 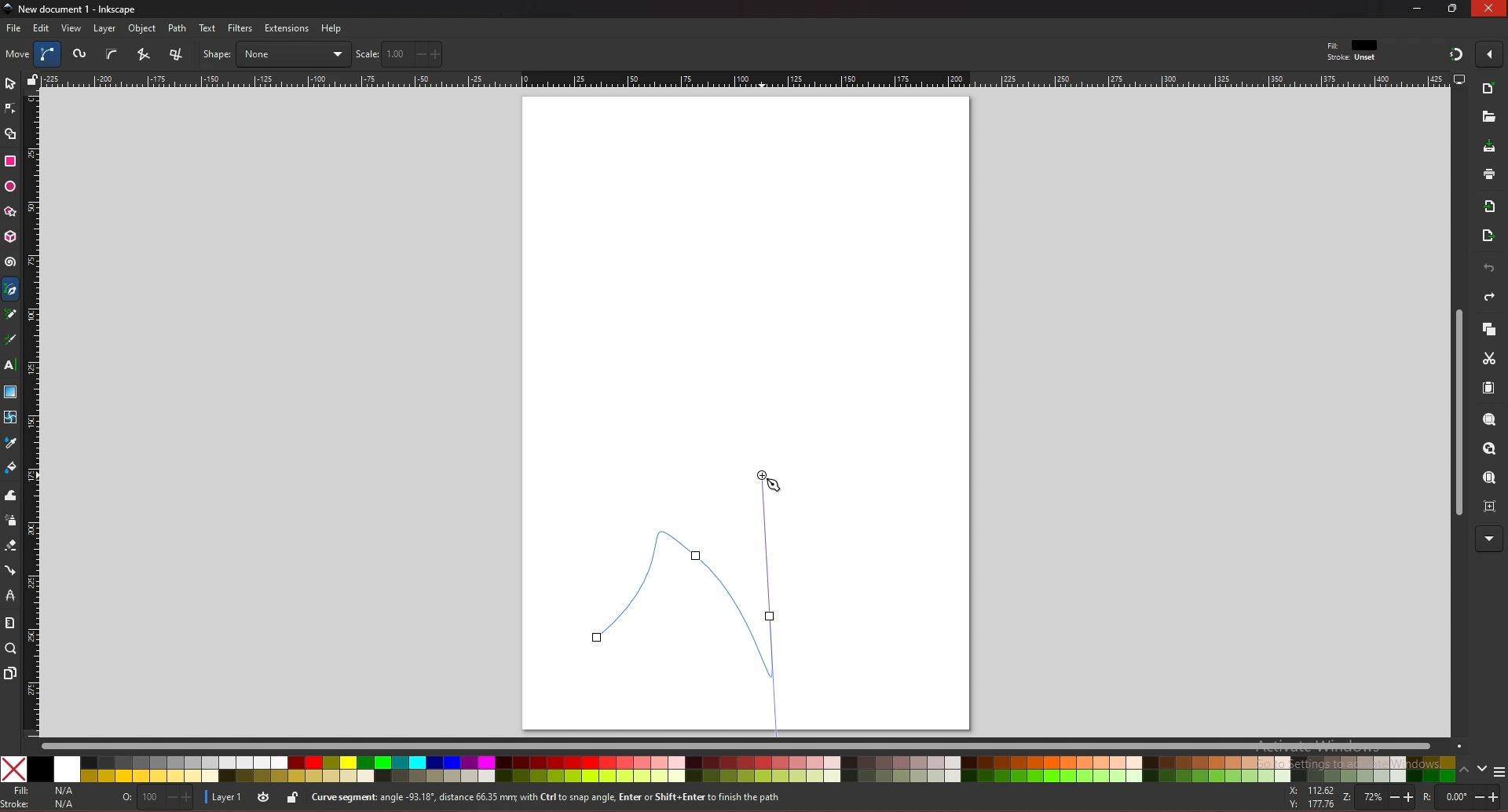 I want to click on zoom page, so click(x=1488, y=479).